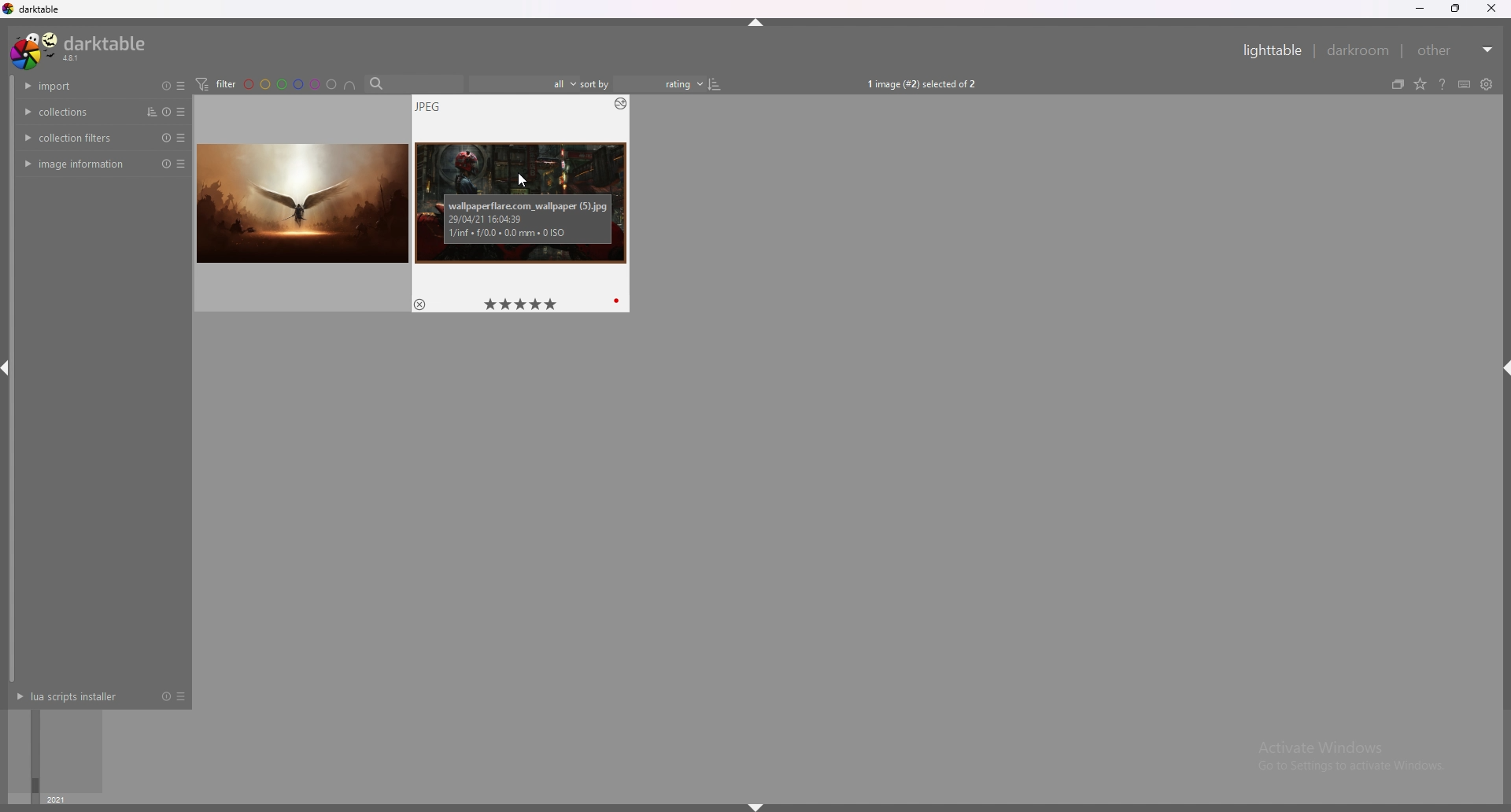 The width and height of the screenshot is (1511, 812). I want to click on help, so click(1443, 84).